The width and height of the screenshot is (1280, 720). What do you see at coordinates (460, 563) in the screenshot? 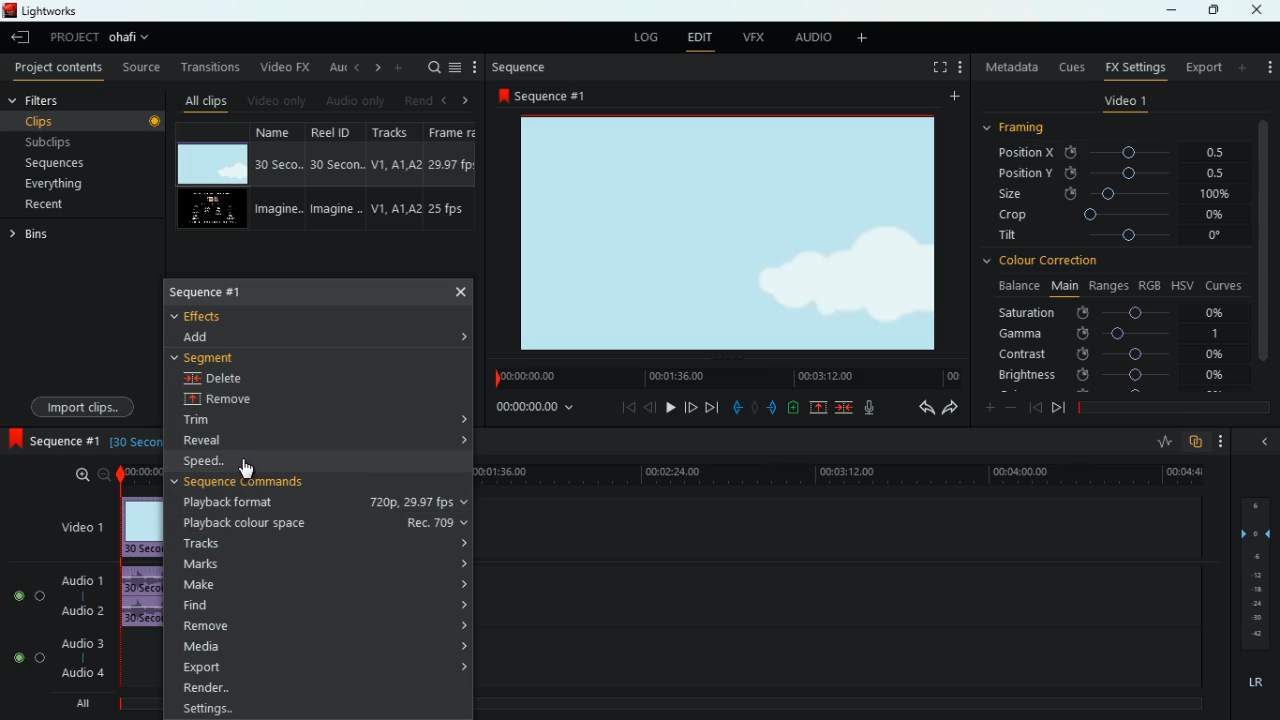
I see `expand` at bounding box center [460, 563].